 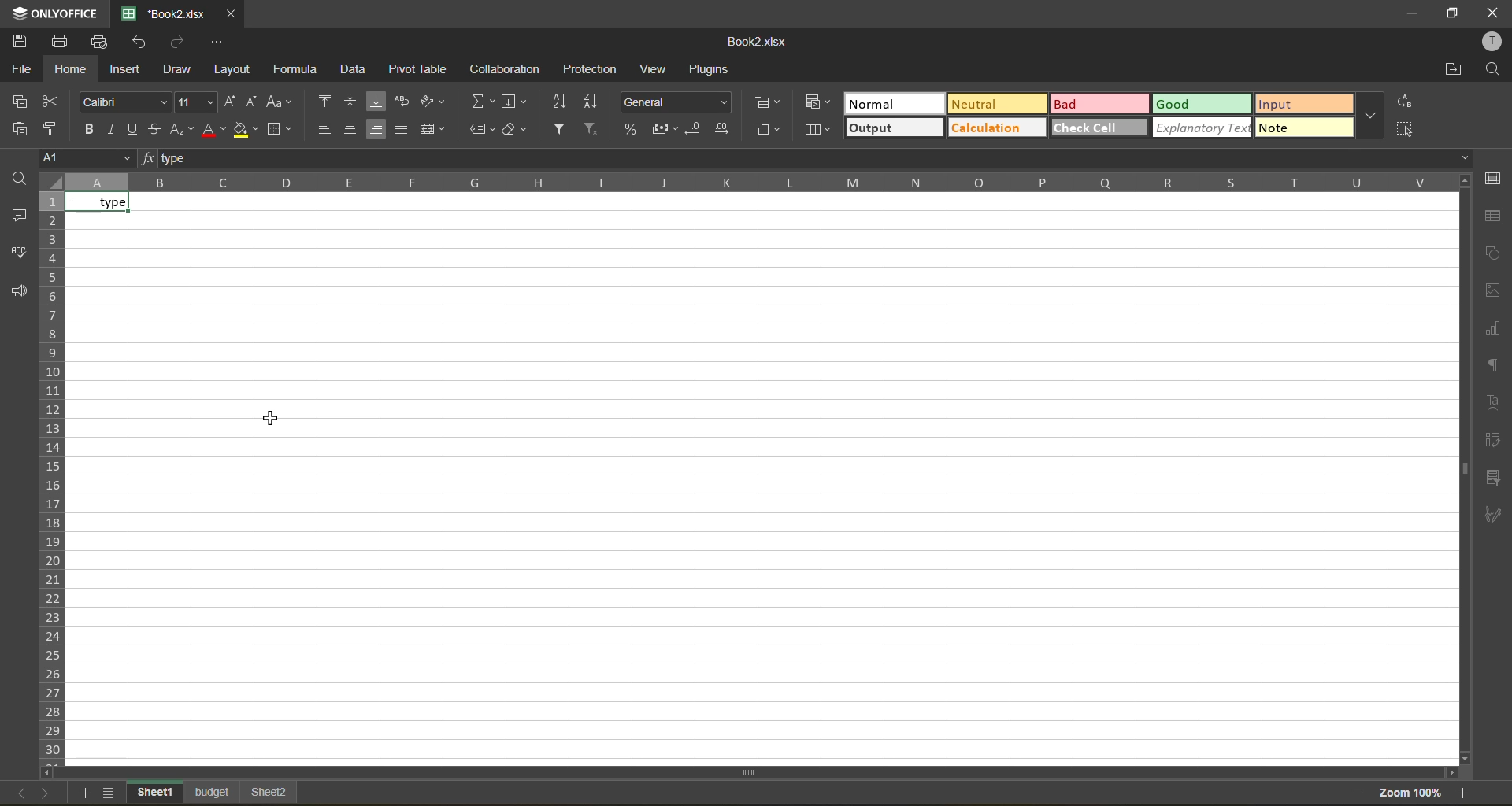 I want to click on cell settings, so click(x=1494, y=178).